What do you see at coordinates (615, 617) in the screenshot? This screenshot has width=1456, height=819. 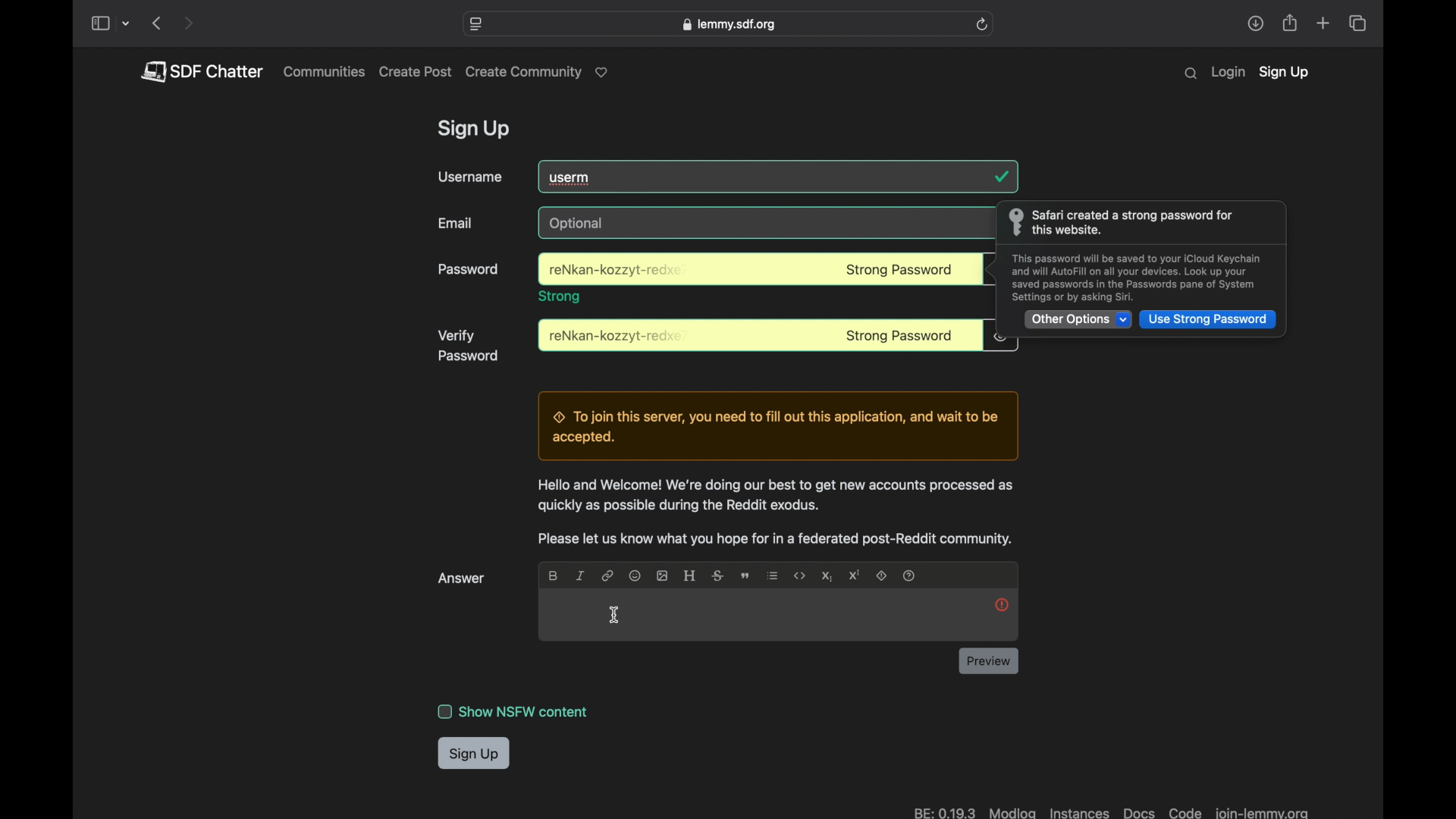 I see `I beam cursor` at bounding box center [615, 617].